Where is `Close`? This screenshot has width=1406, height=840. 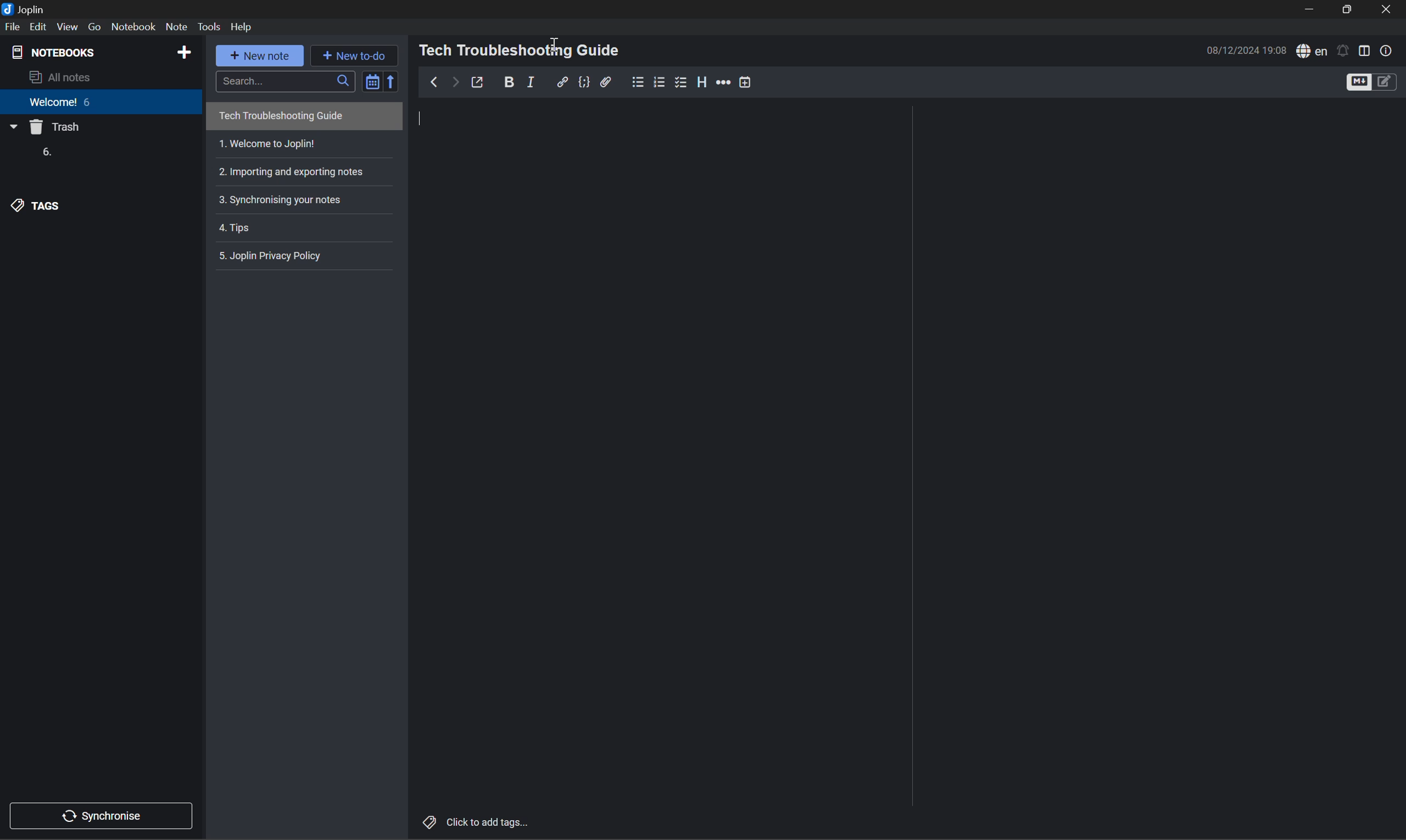 Close is located at coordinates (1388, 11).